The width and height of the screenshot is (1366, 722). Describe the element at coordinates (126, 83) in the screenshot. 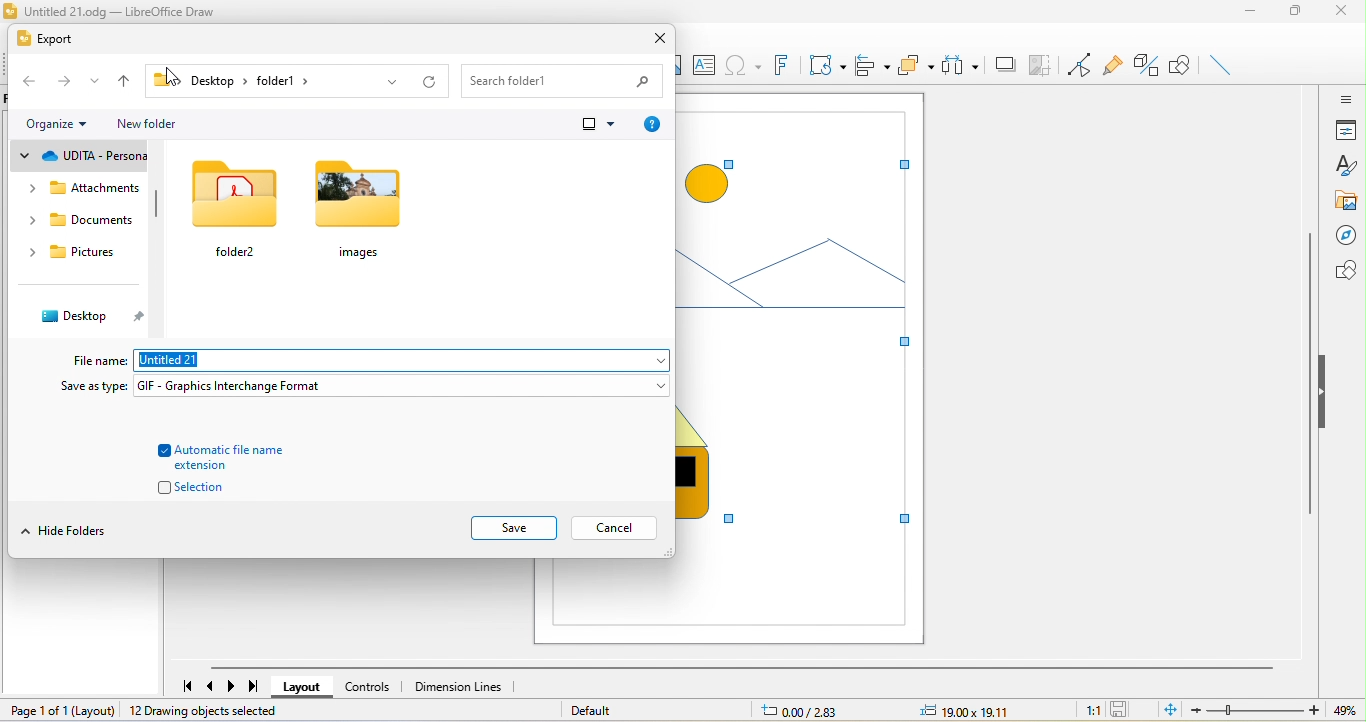

I see `up to previous` at that location.